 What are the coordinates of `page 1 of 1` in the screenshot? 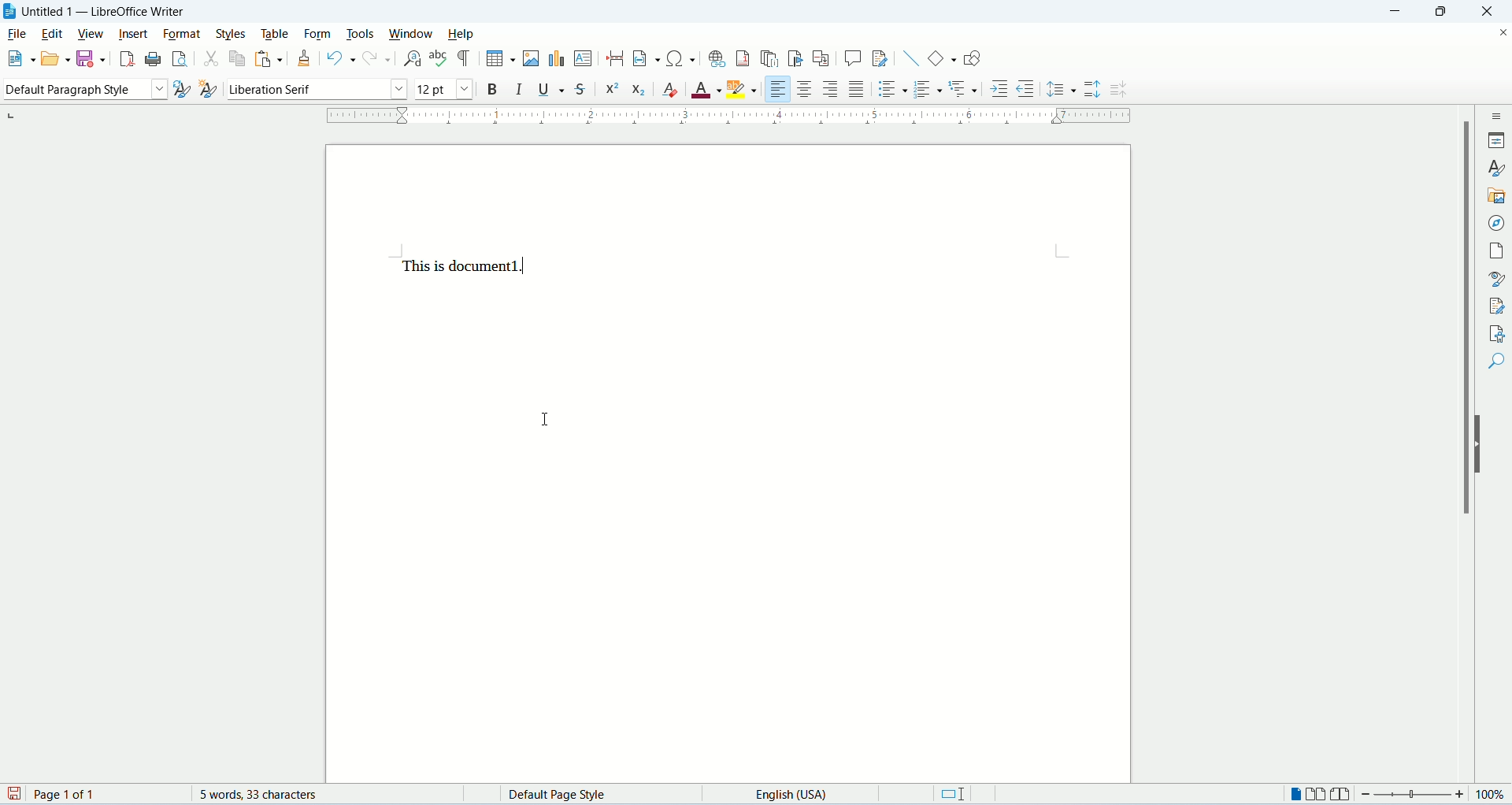 It's located at (105, 794).